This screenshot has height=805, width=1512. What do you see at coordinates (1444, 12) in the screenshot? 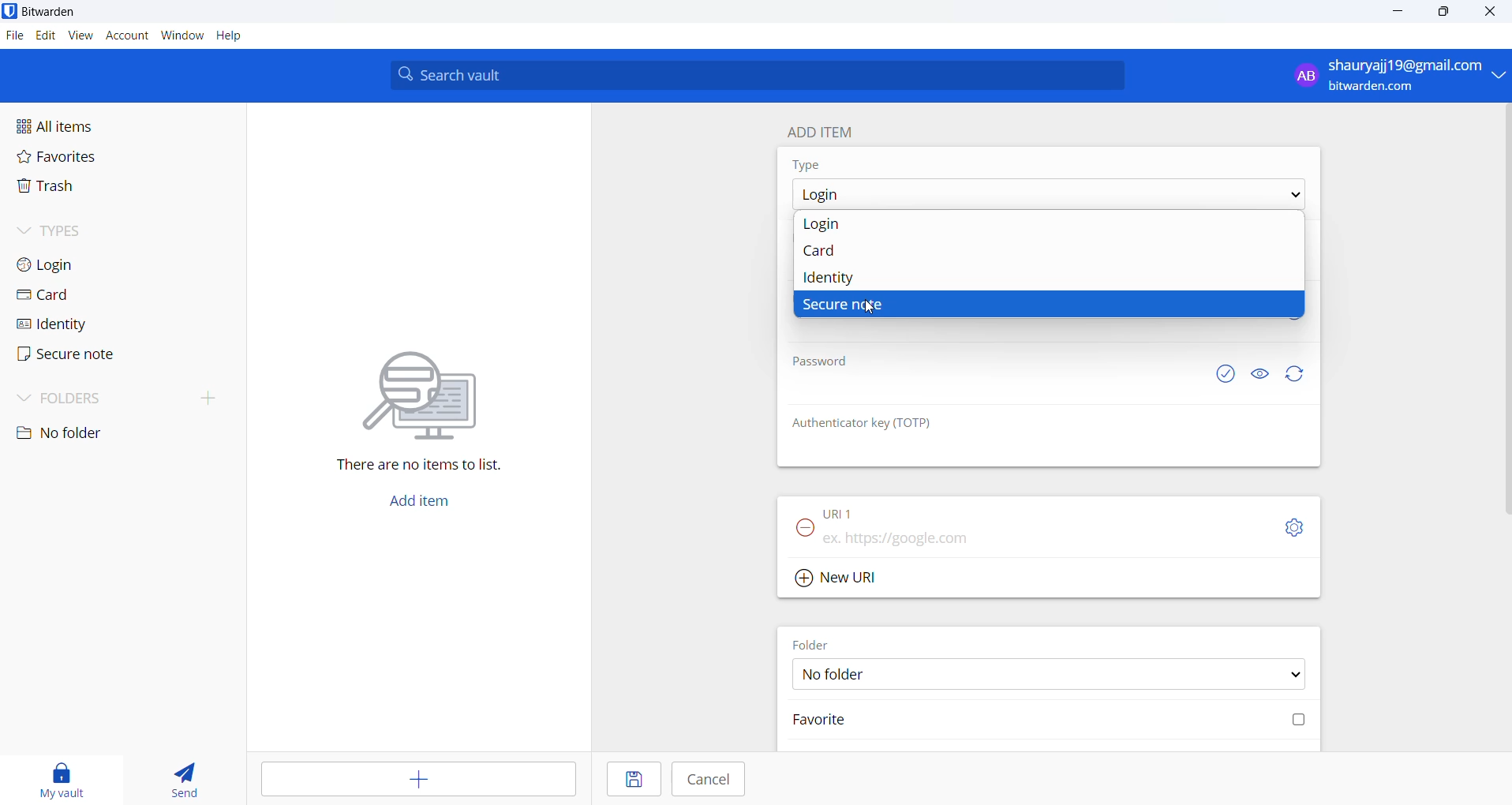
I see `maximize` at bounding box center [1444, 12].